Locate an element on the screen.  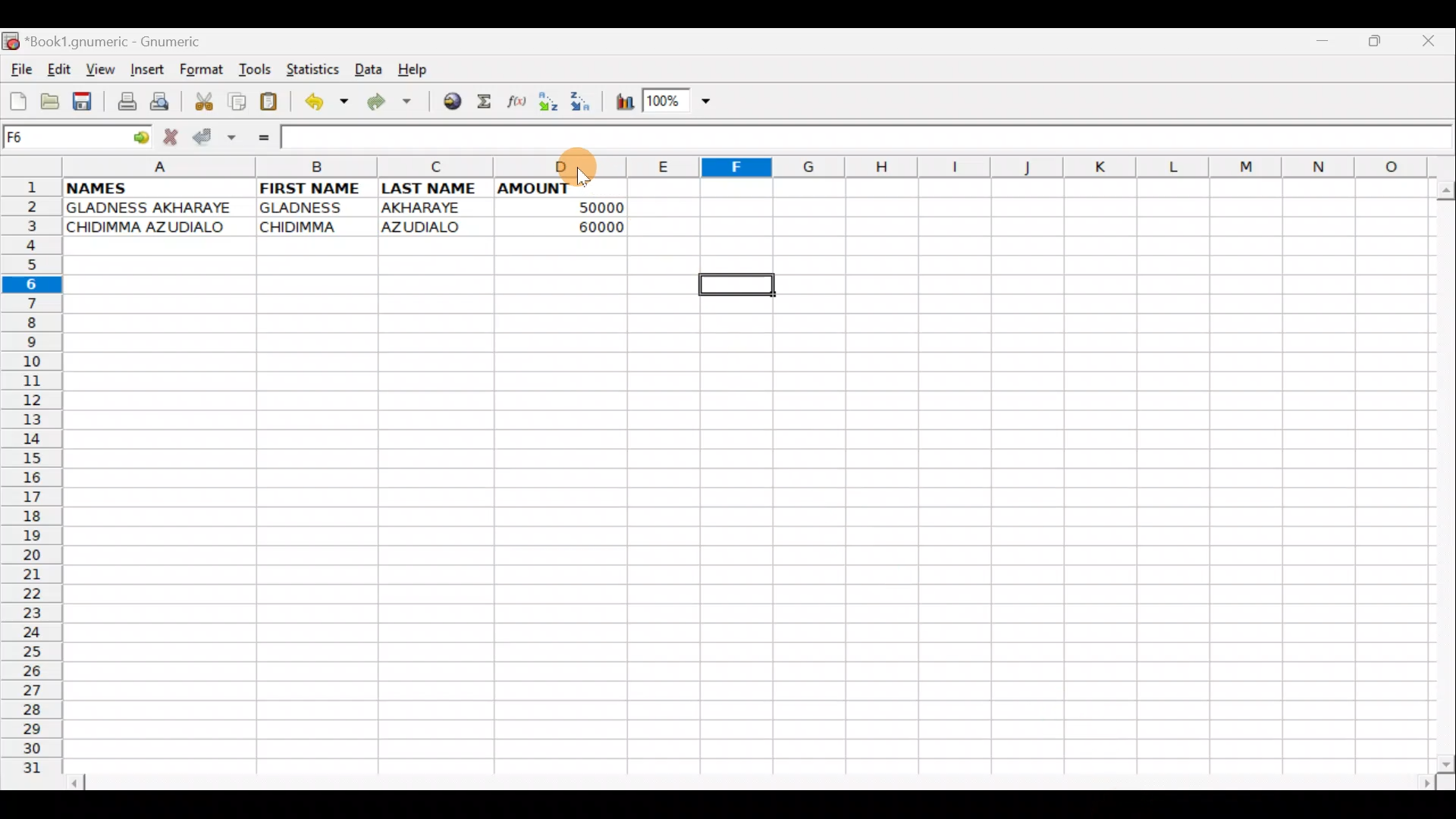
Sort Descending order is located at coordinates (582, 102).